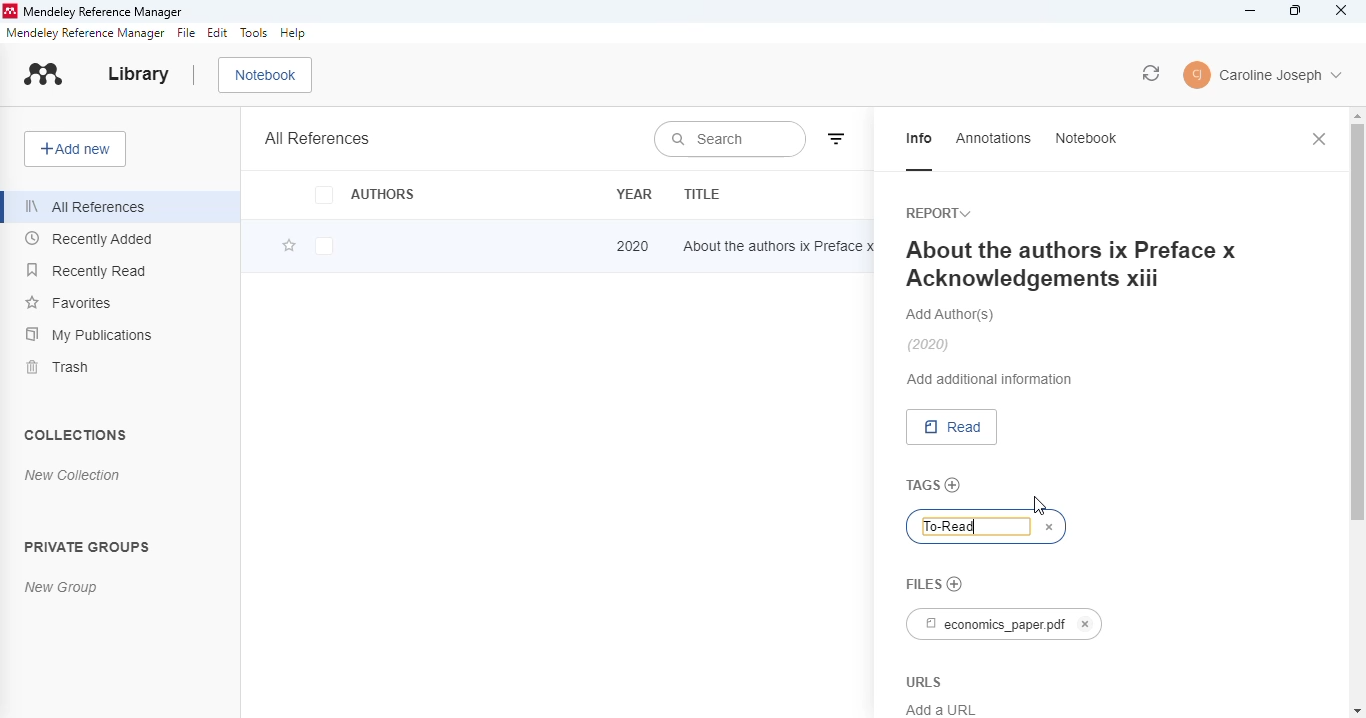  What do you see at coordinates (968, 527) in the screenshot?
I see `"To-Read" tag typed` at bounding box center [968, 527].